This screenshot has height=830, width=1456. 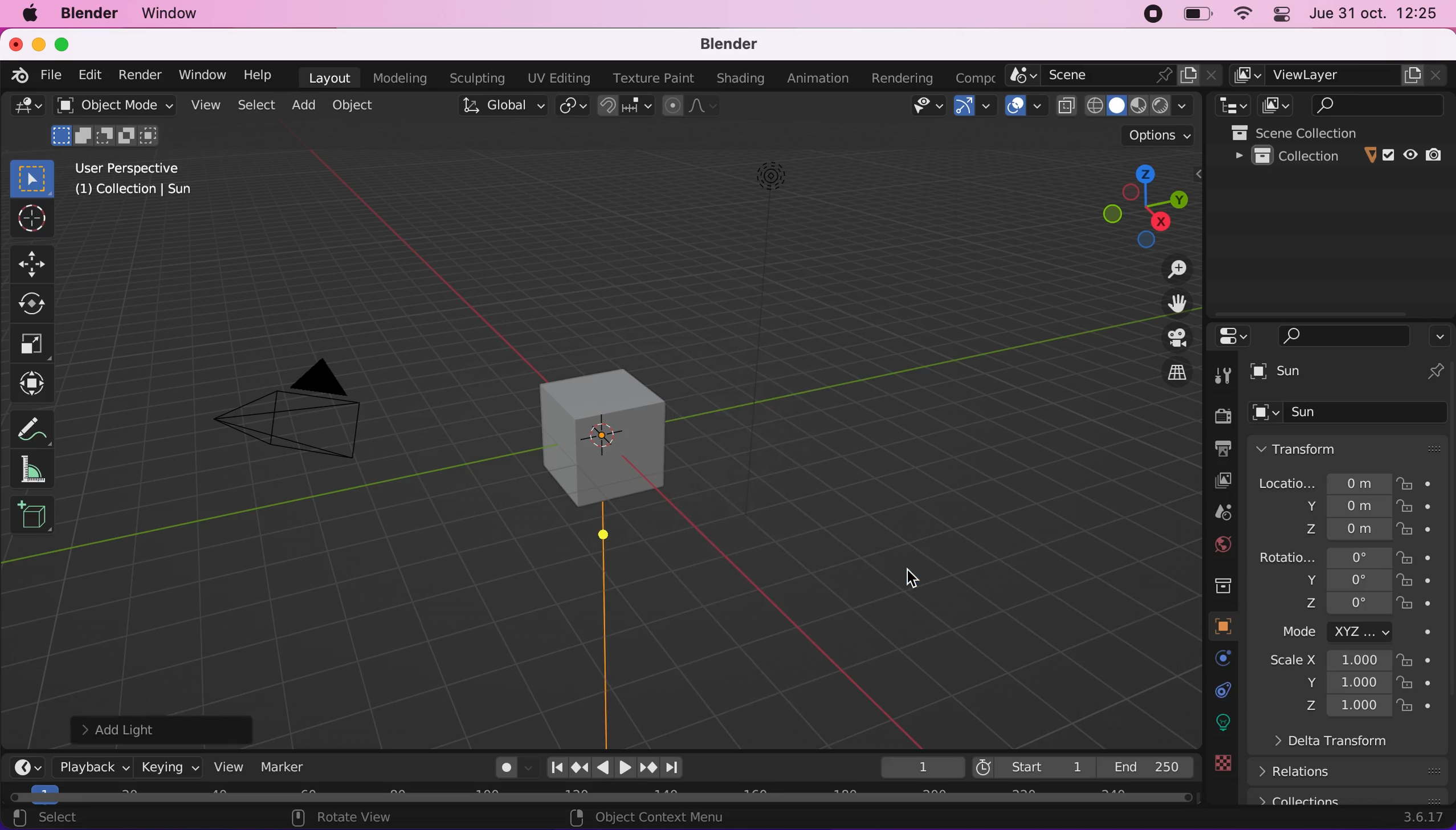 I want to click on lock, so click(x=1426, y=531).